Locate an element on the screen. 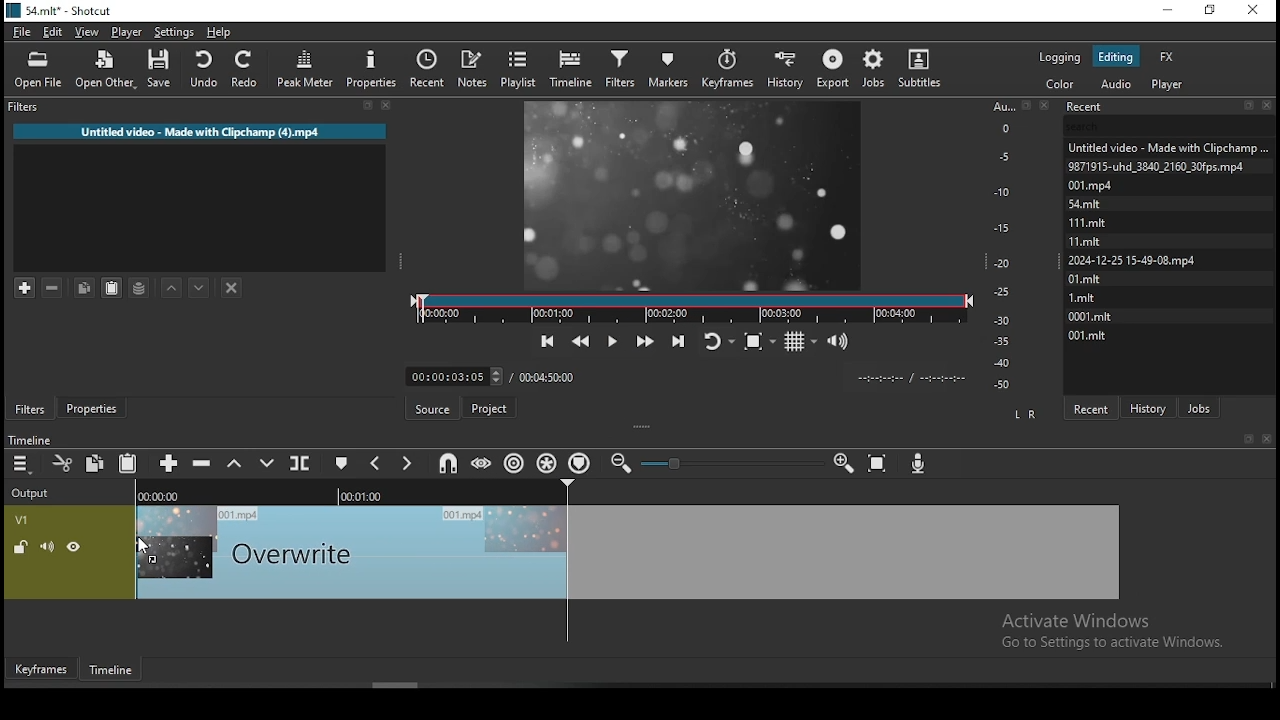 This screenshot has height=720, width=1280. previous marker is located at coordinates (377, 465).